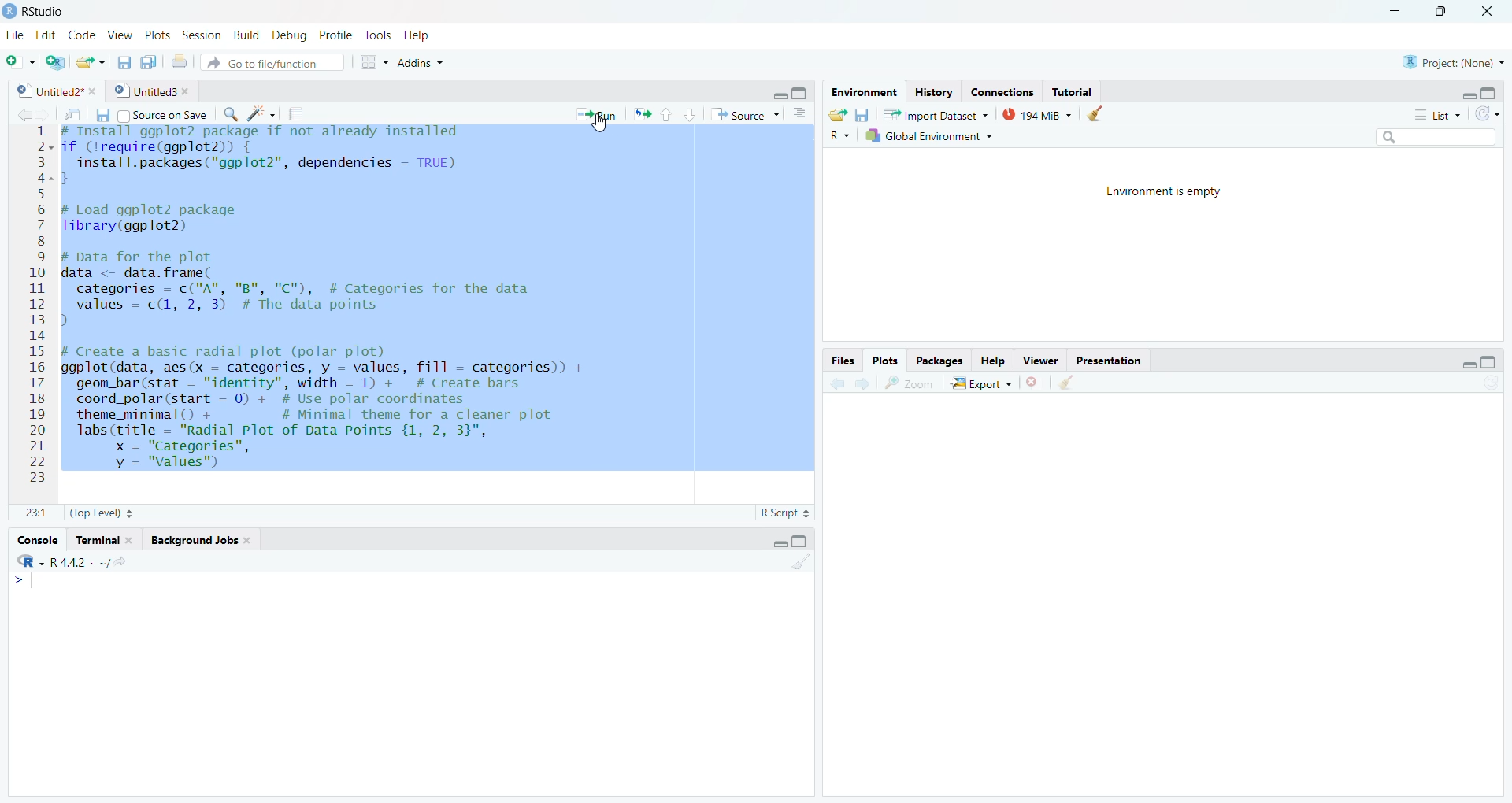 Image resolution: width=1512 pixels, height=803 pixels. I want to click on show in new window, so click(73, 117).